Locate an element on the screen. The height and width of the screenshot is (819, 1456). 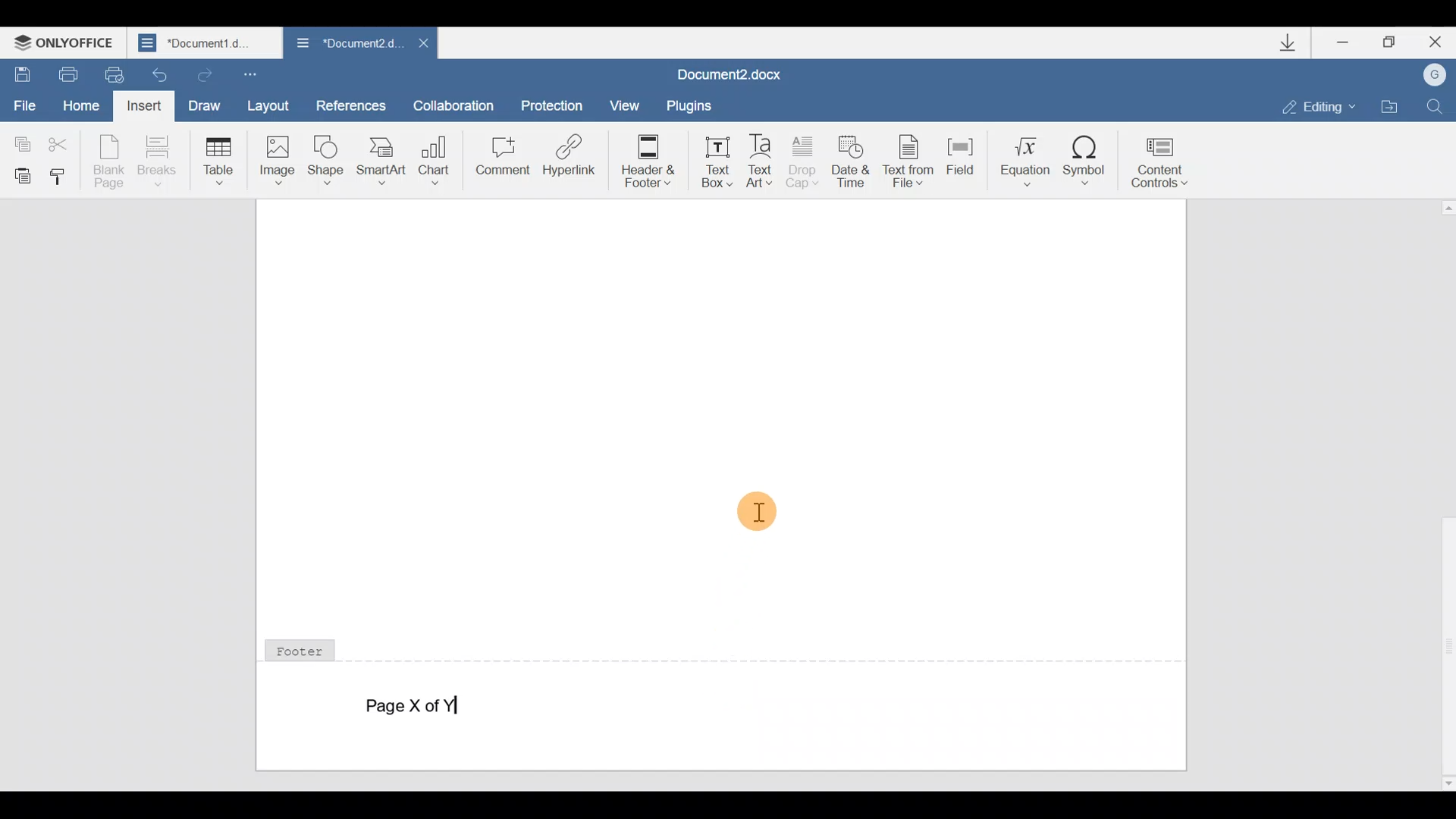
Document1.d.. is located at coordinates (206, 43).